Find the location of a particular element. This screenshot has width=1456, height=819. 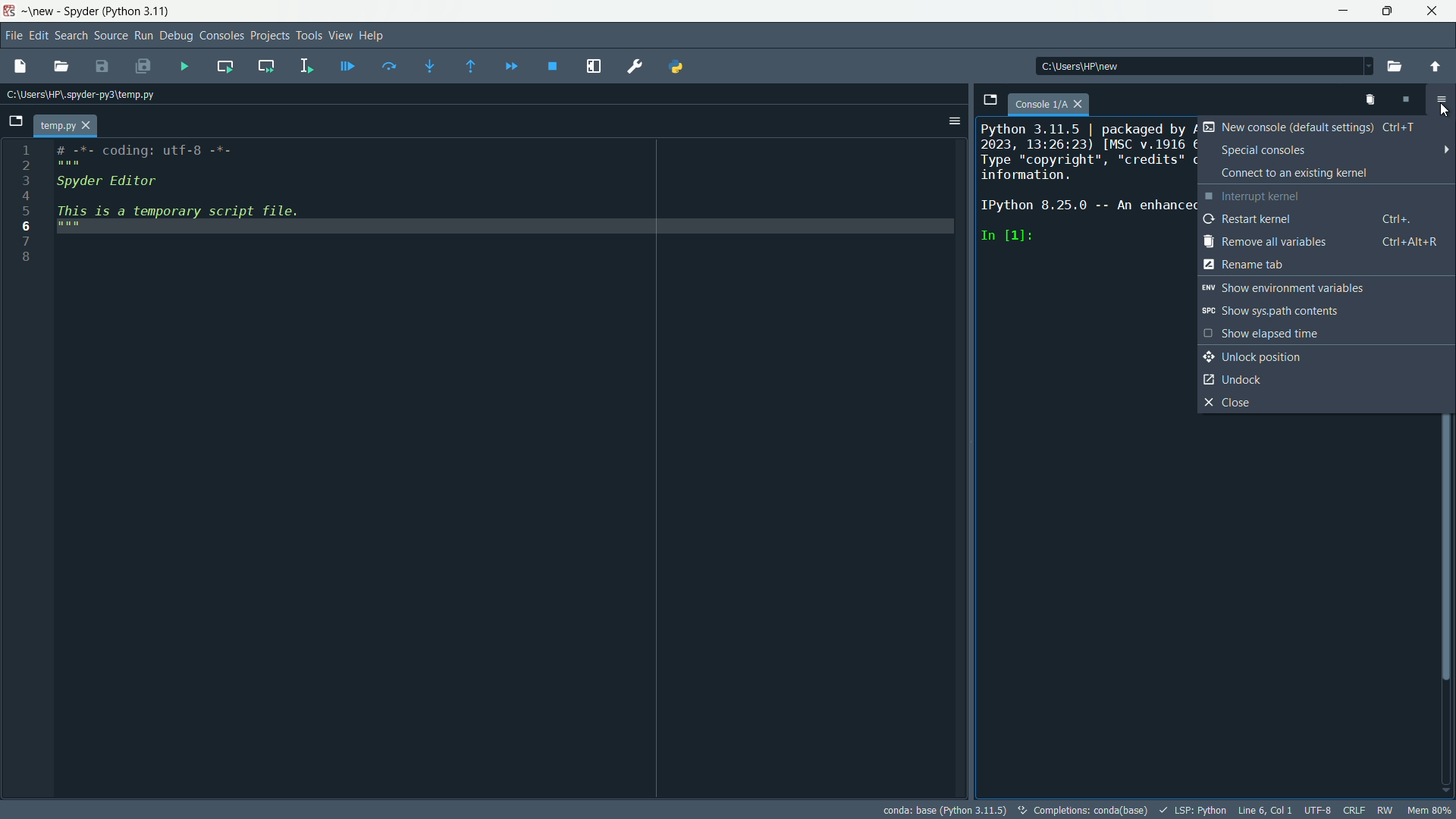

Connect to an existing kernel is located at coordinates (1315, 173).